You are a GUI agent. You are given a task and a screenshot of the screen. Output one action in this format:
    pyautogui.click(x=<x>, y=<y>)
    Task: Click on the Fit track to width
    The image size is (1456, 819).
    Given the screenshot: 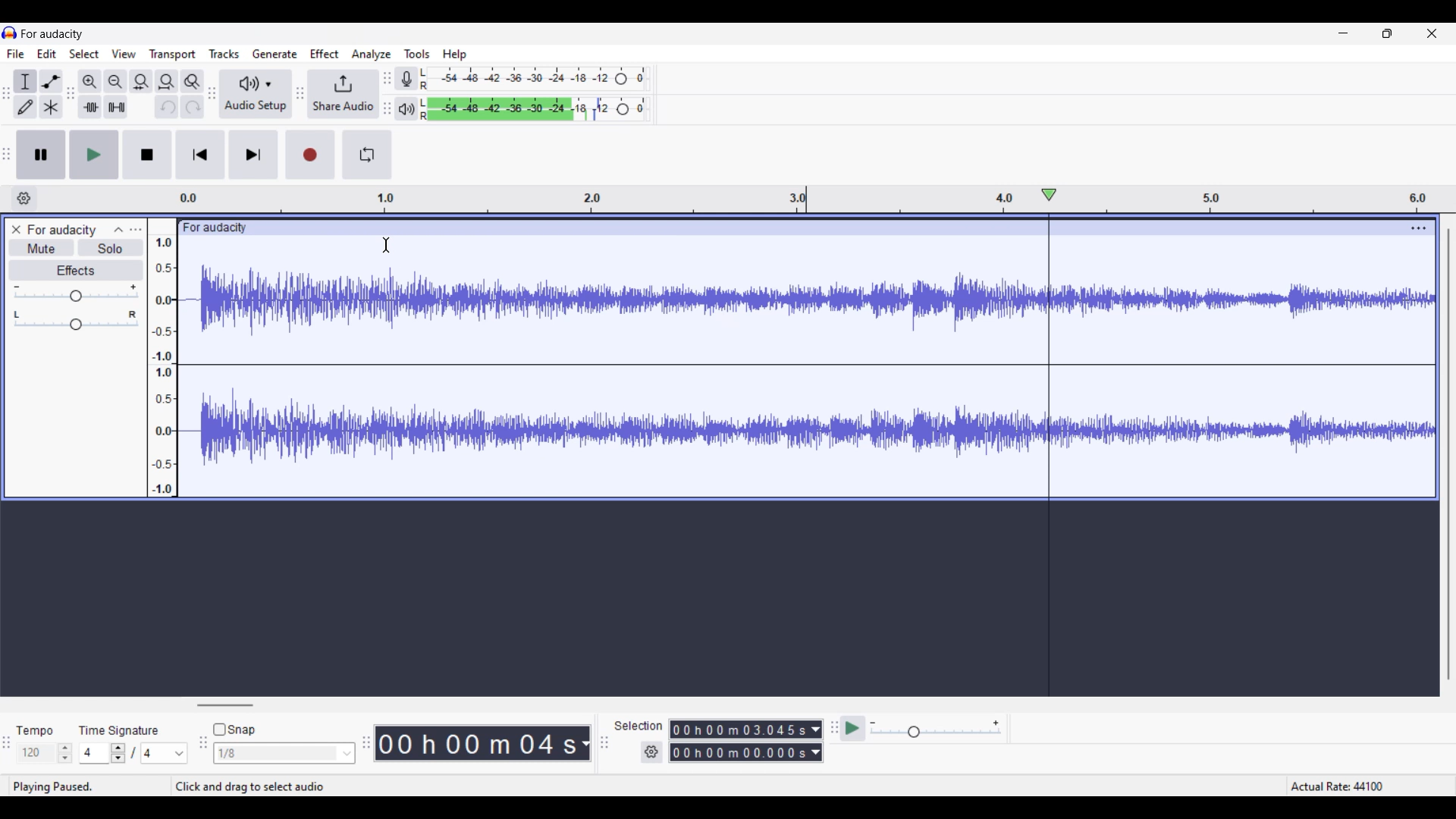 What is the action you would take?
    pyautogui.click(x=167, y=82)
    